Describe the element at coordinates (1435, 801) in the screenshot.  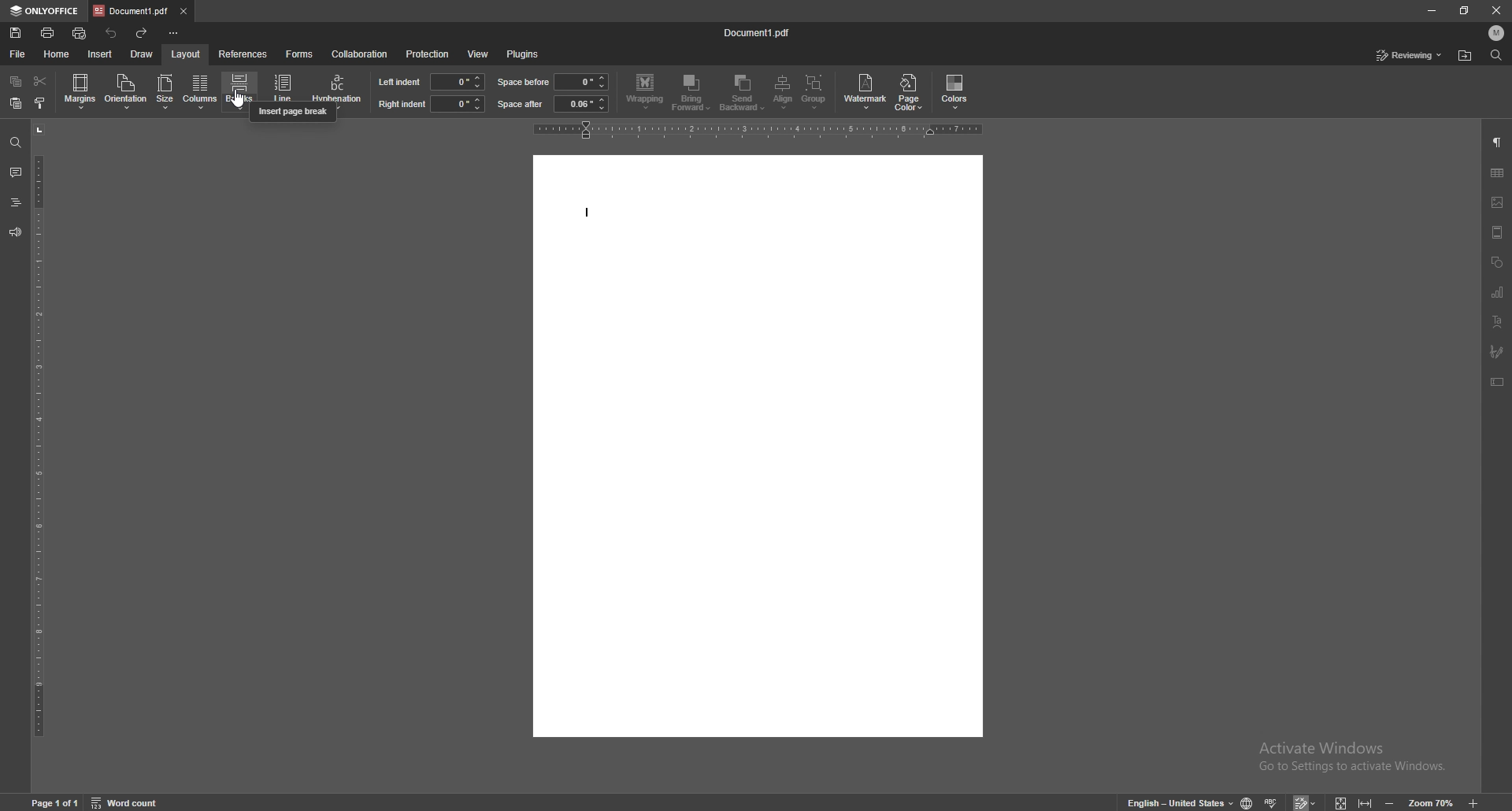
I see `zoom 70%` at that location.